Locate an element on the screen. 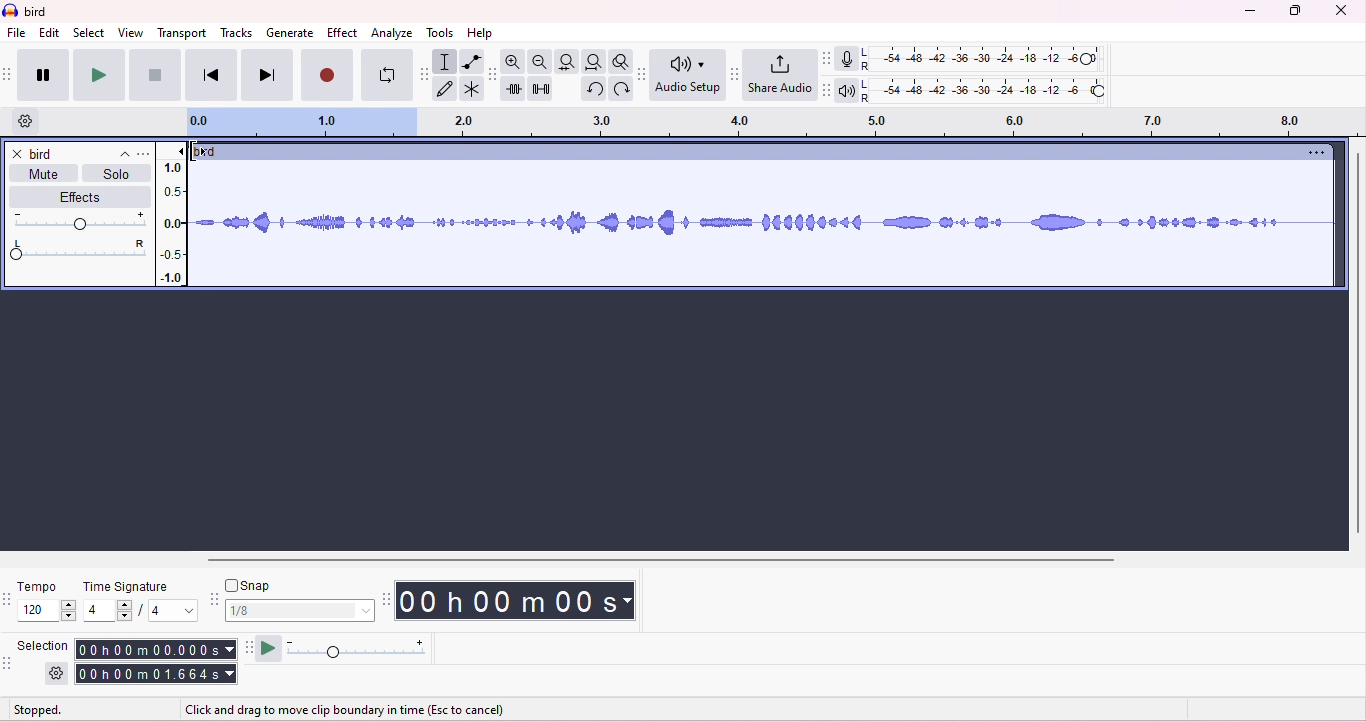 The image size is (1366, 722). selection is located at coordinates (445, 61).